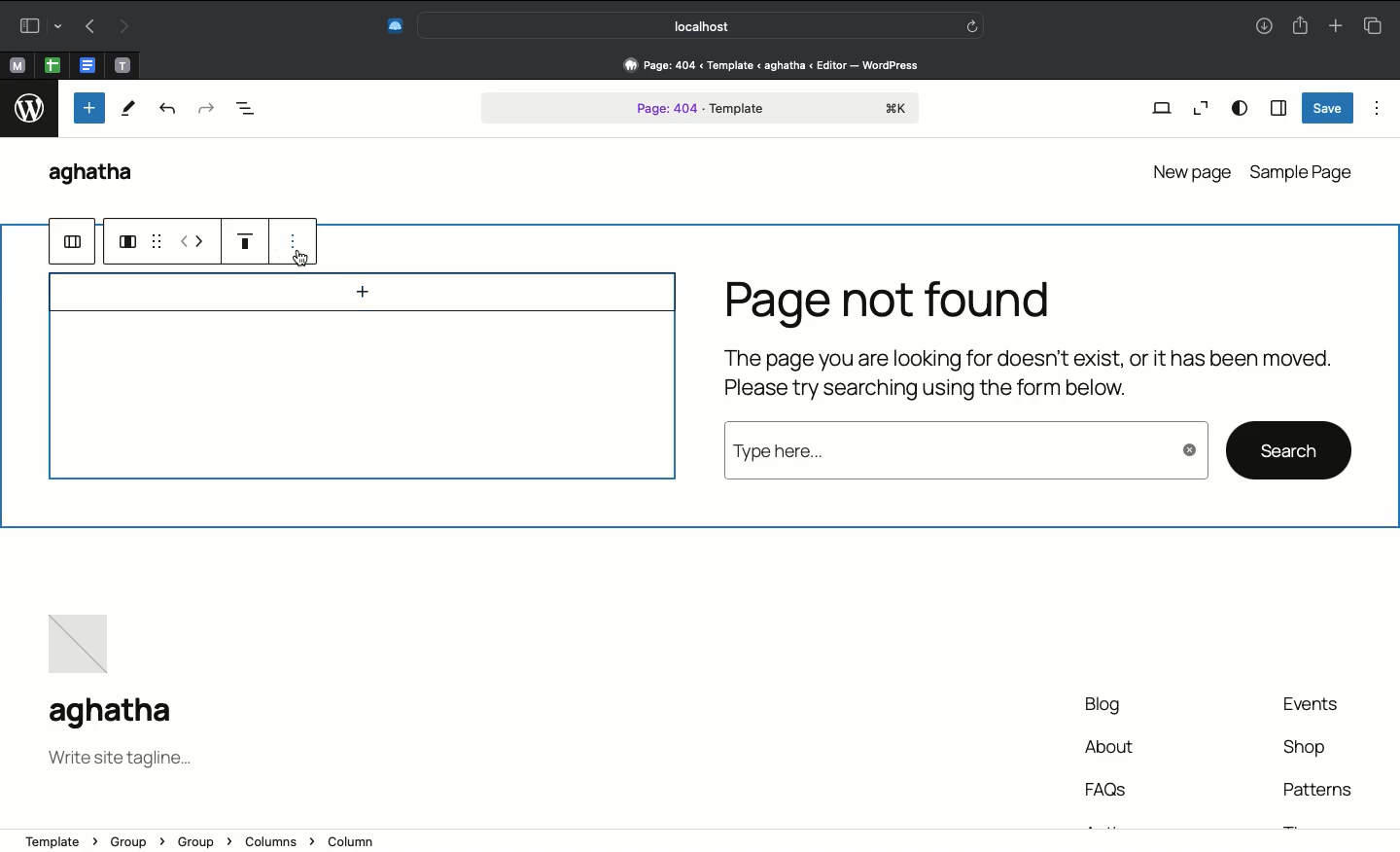 This screenshot has height=852, width=1400. Describe the element at coordinates (246, 111) in the screenshot. I see `Document overview` at that location.